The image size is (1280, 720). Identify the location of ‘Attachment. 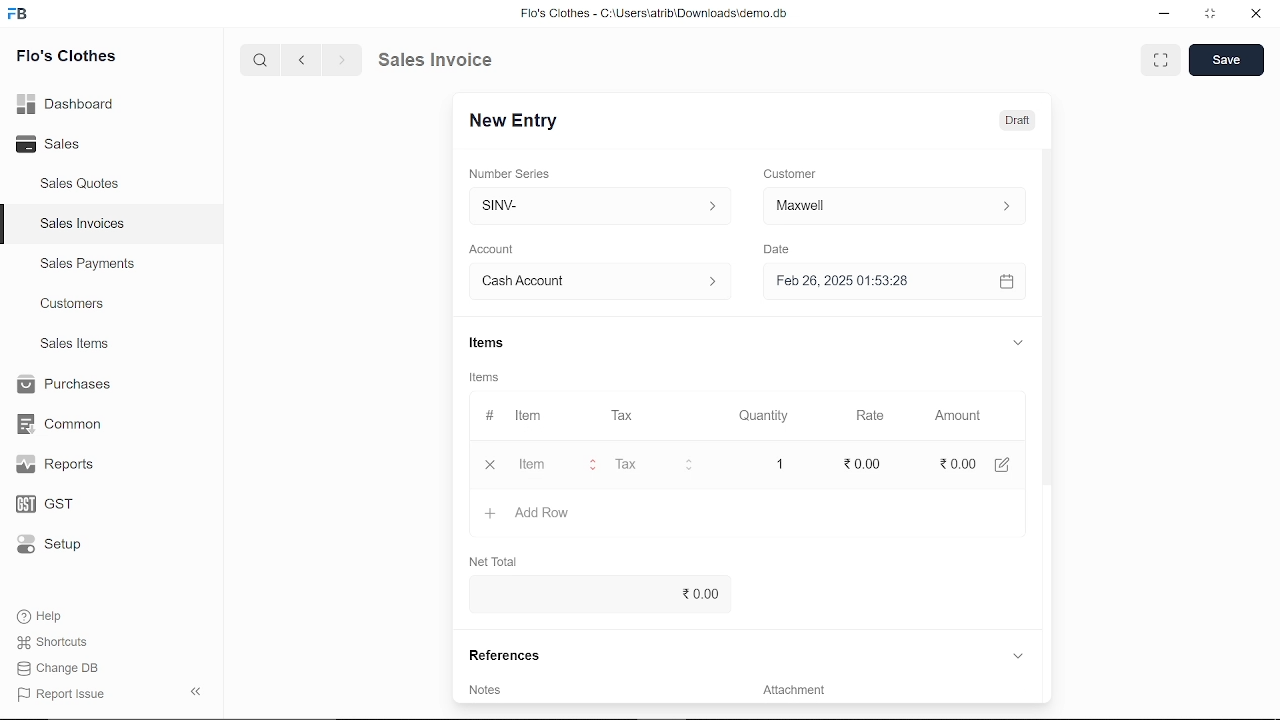
(790, 690).